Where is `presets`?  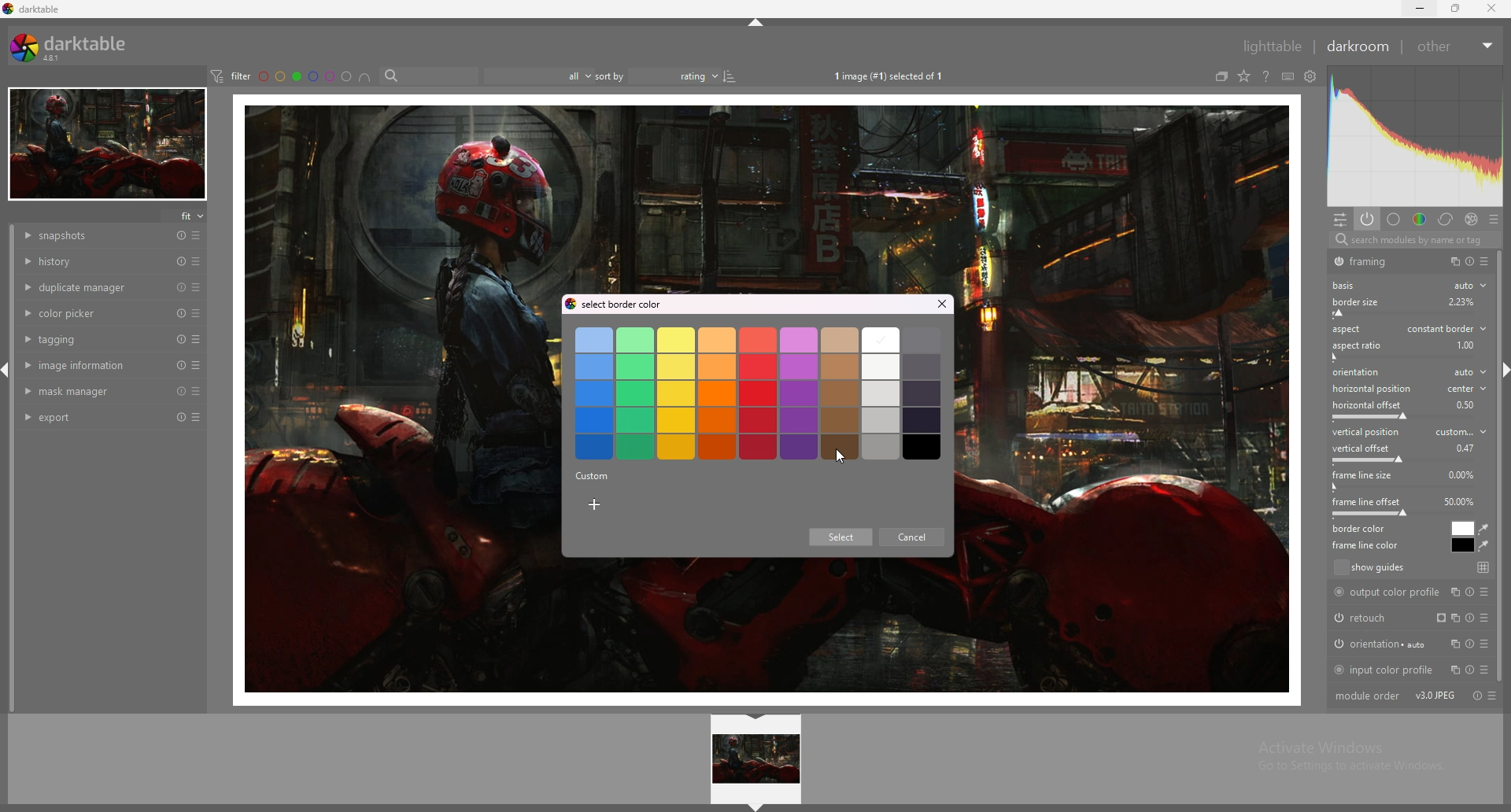 presets is located at coordinates (196, 418).